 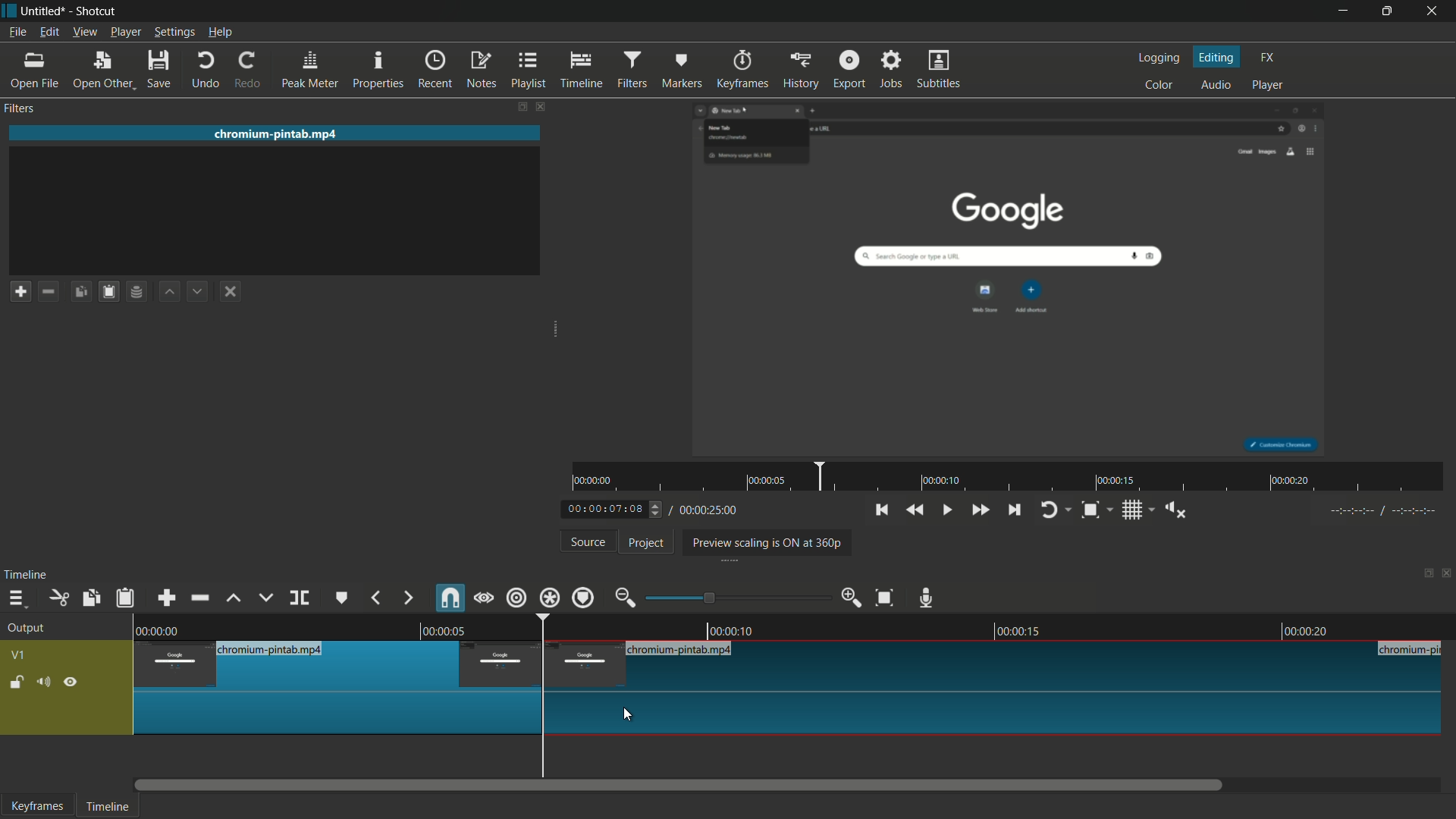 I want to click on toggle zoom, so click(x=1090, y=511).